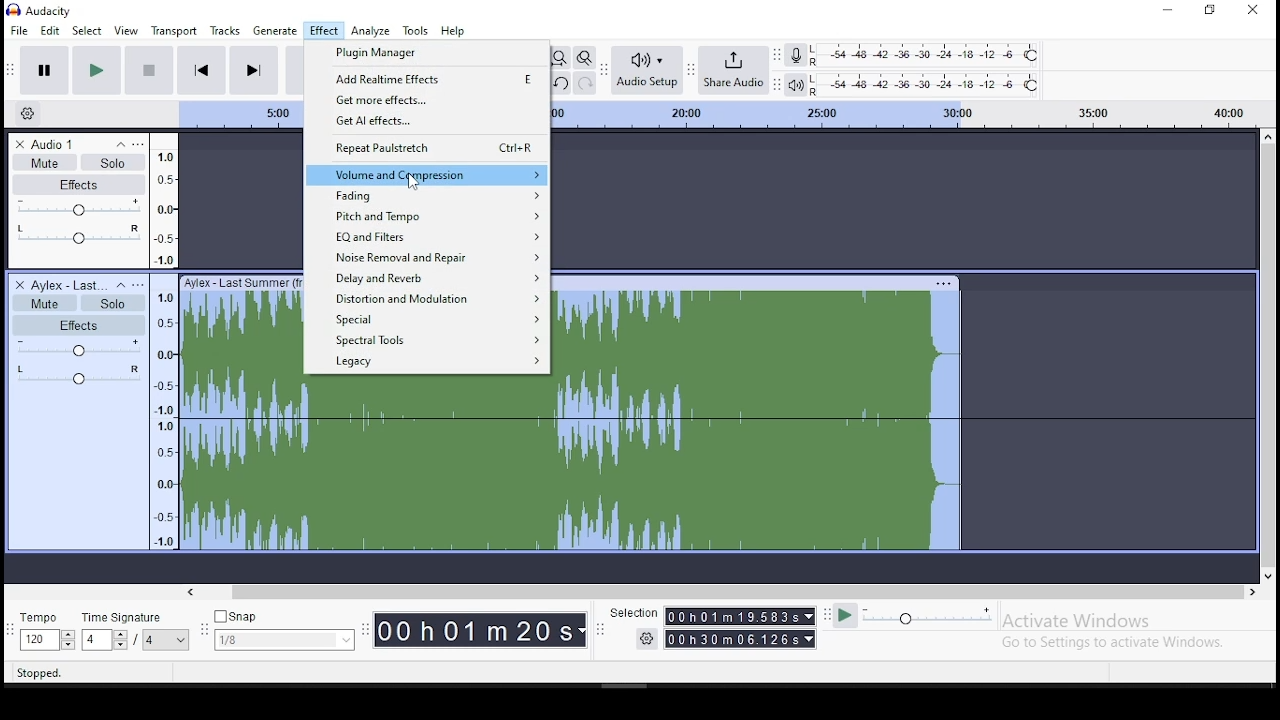 This screenshot has width=1280, height=720. What do you see at coordinates (427, 101) in the screenshot?
I see `get more effects` at bounding box center [427, 101].